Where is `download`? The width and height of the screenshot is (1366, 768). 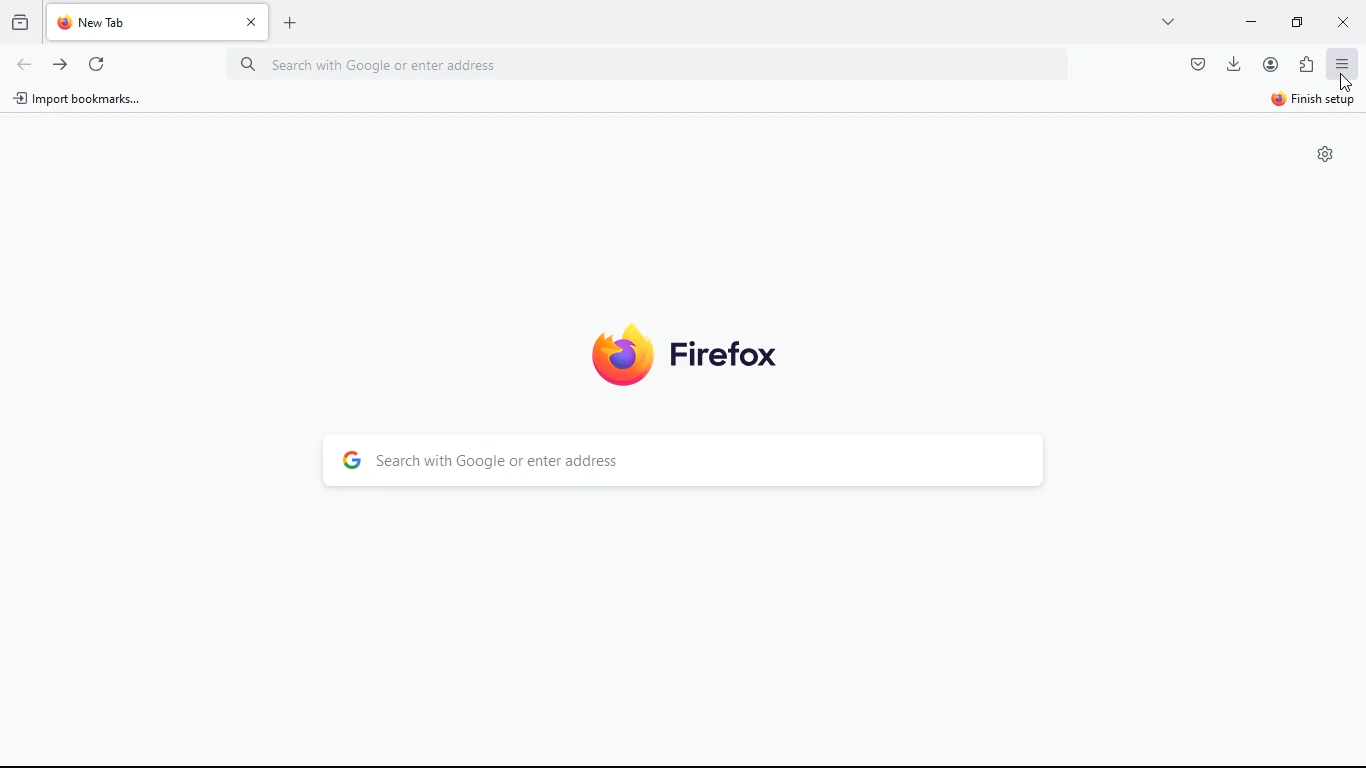 download is located at coordinates (1235, 64).